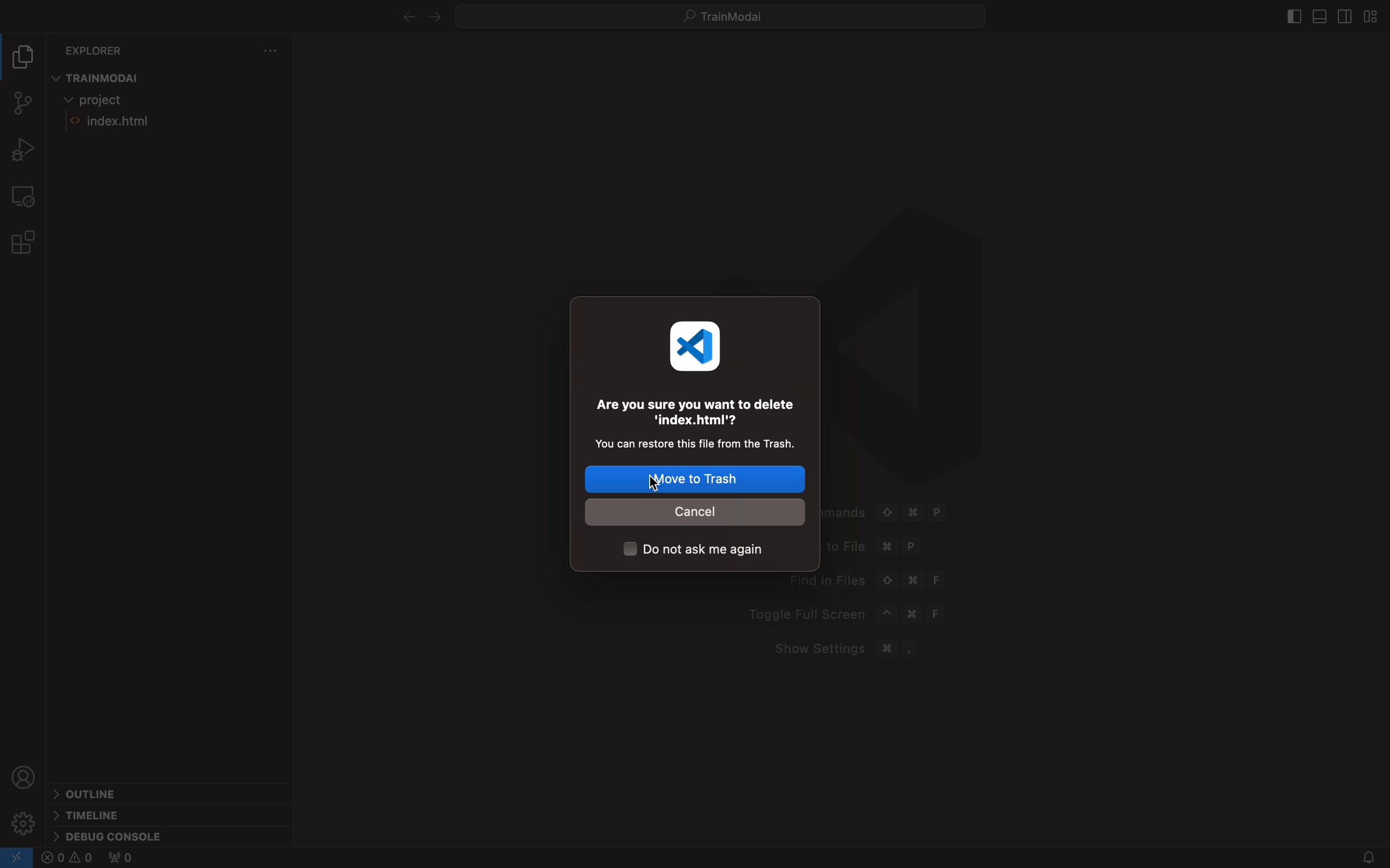 This screenshot has width=1390, height=868. I want to click on file explore, so click(25, 59).